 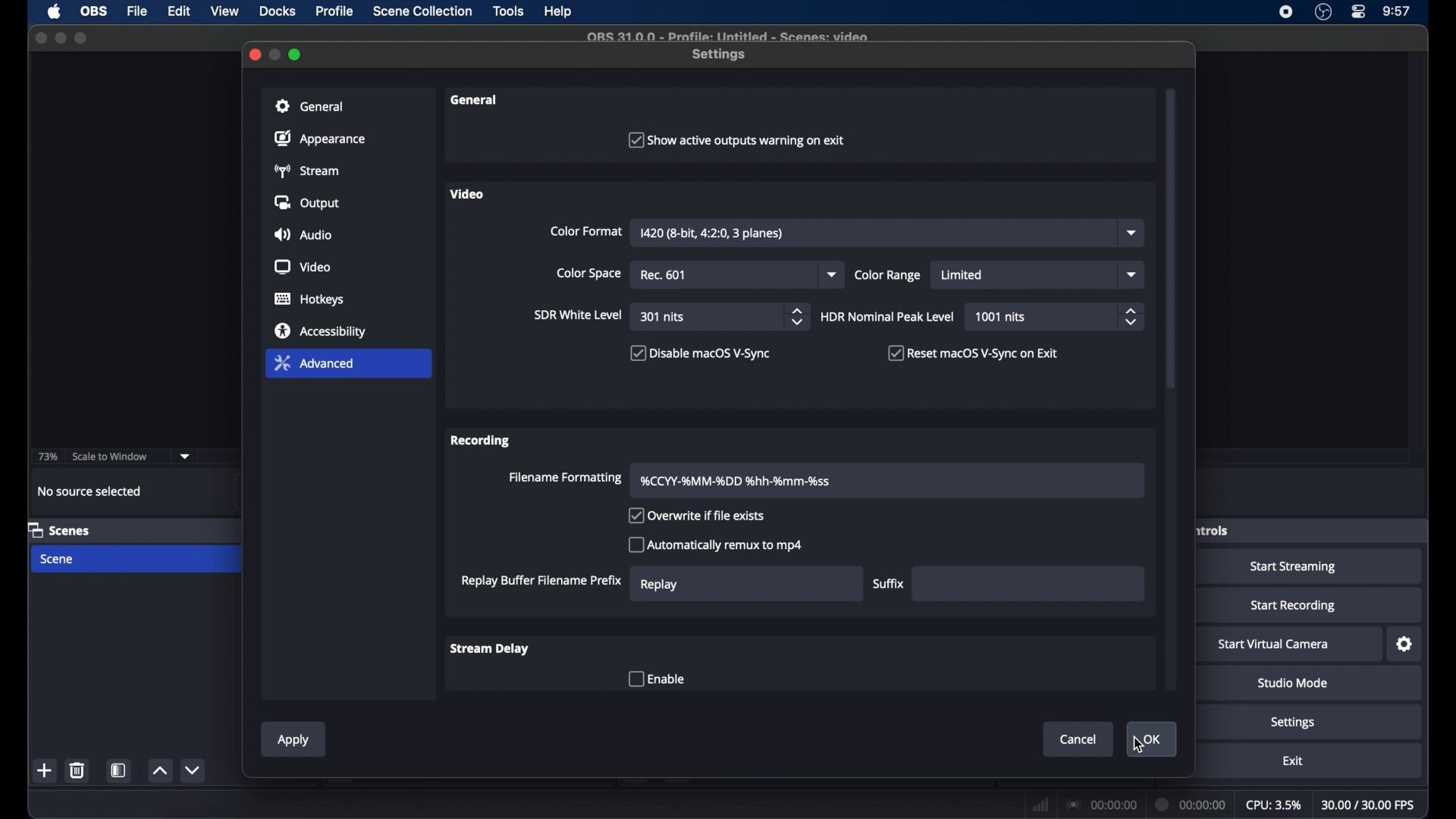 What do you see at coordinates (46, 457) in the screenshot?
I see `73%` at bounding box center [46, 457].